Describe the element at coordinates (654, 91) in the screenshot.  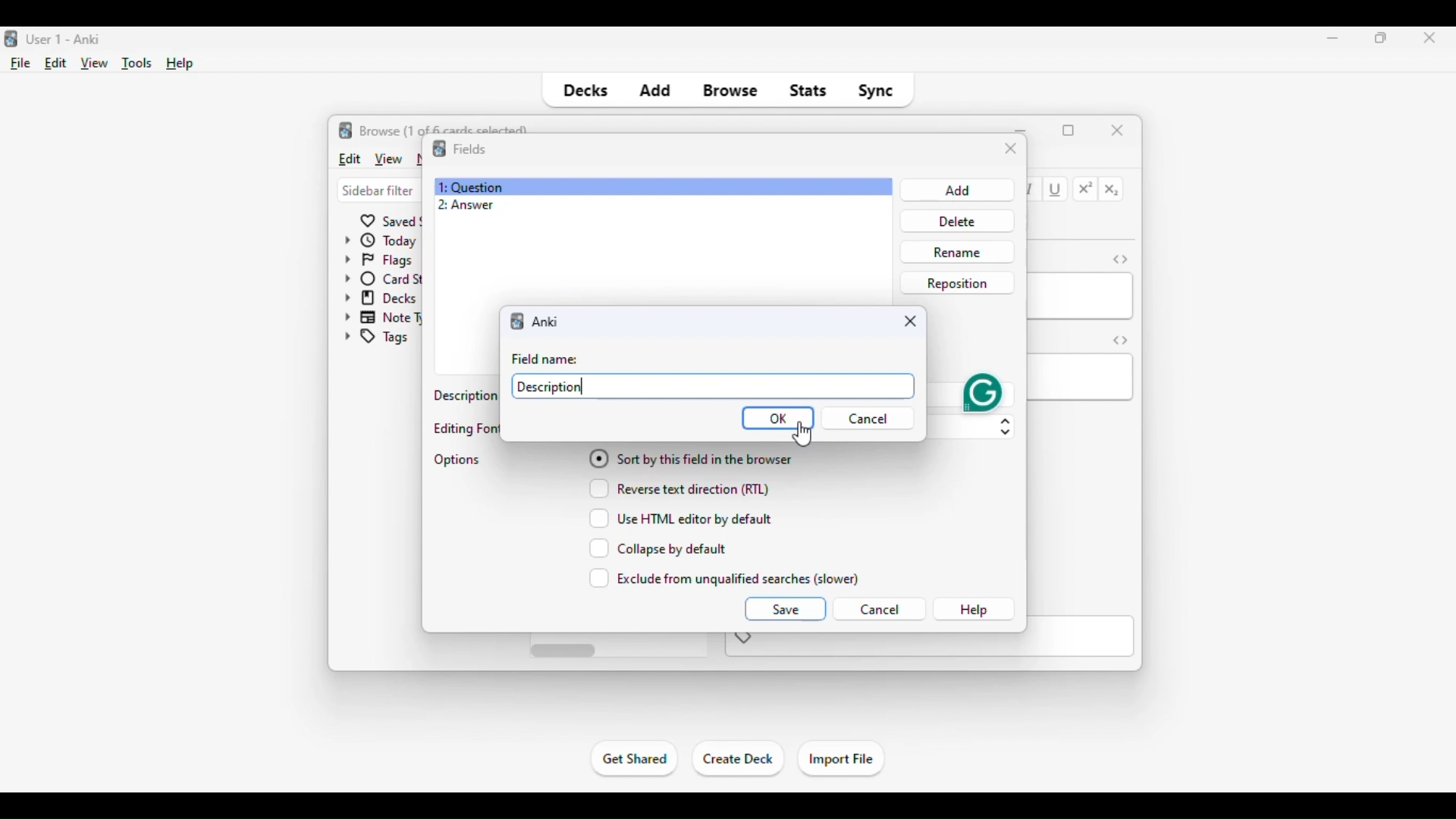
I see `add` at that location.